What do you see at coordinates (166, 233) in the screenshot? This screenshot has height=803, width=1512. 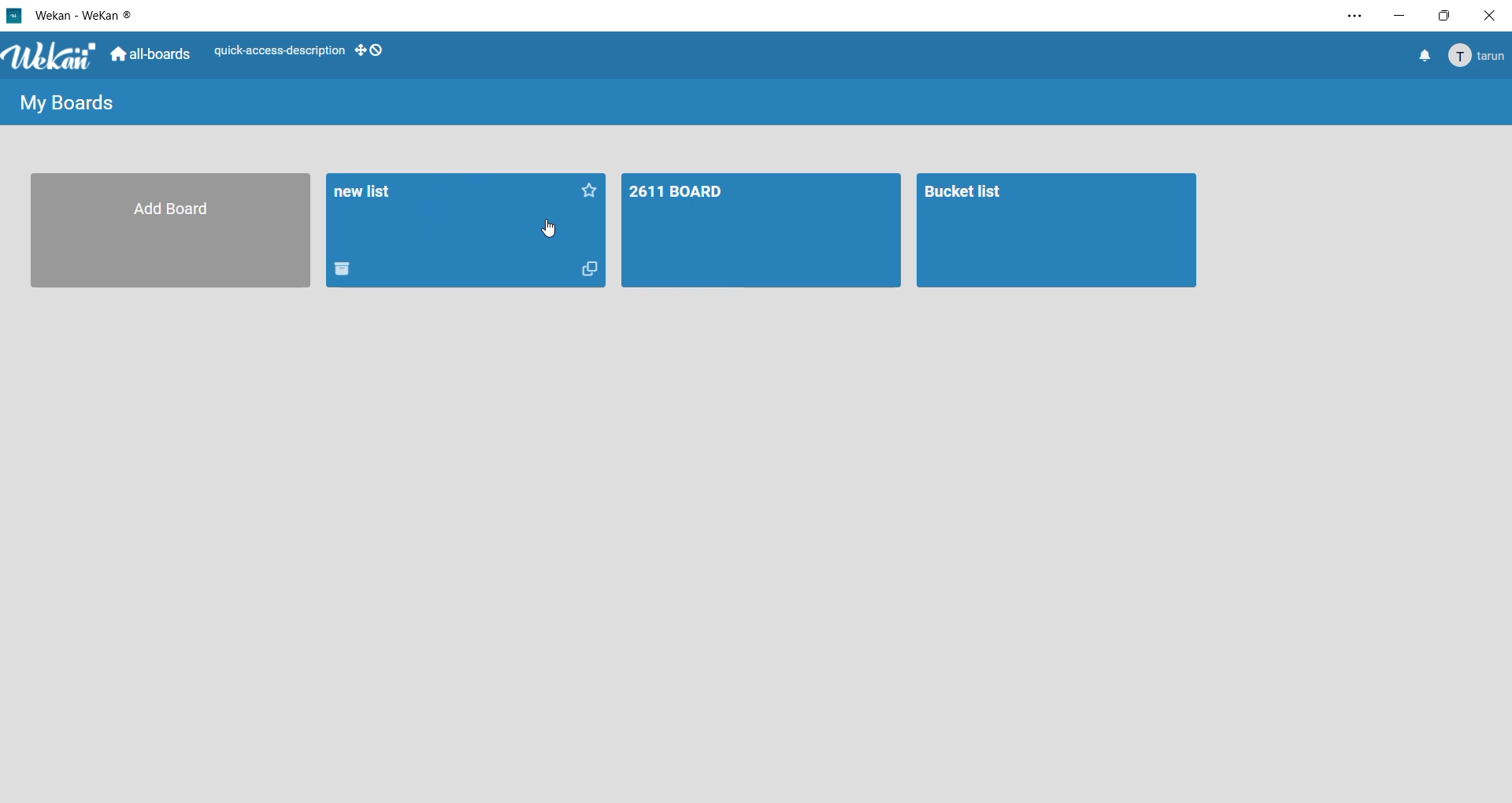 I see `add board` at bounding box center [166, 233].